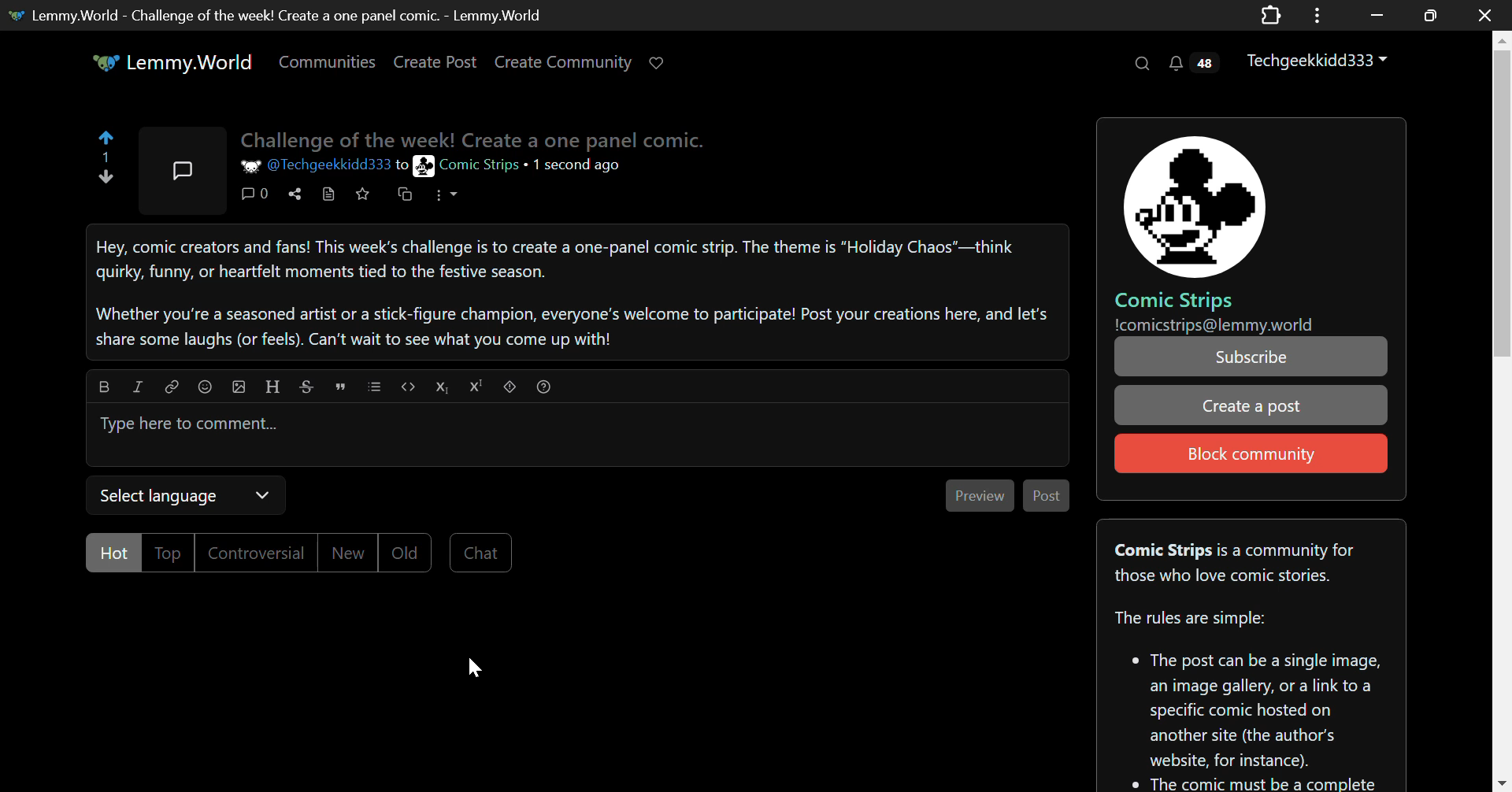 The width and height of the screenshot is (1512, 792). Describe the element at coordinates (1251, 360) in the screenshot. I see `Subscribe` at that location.